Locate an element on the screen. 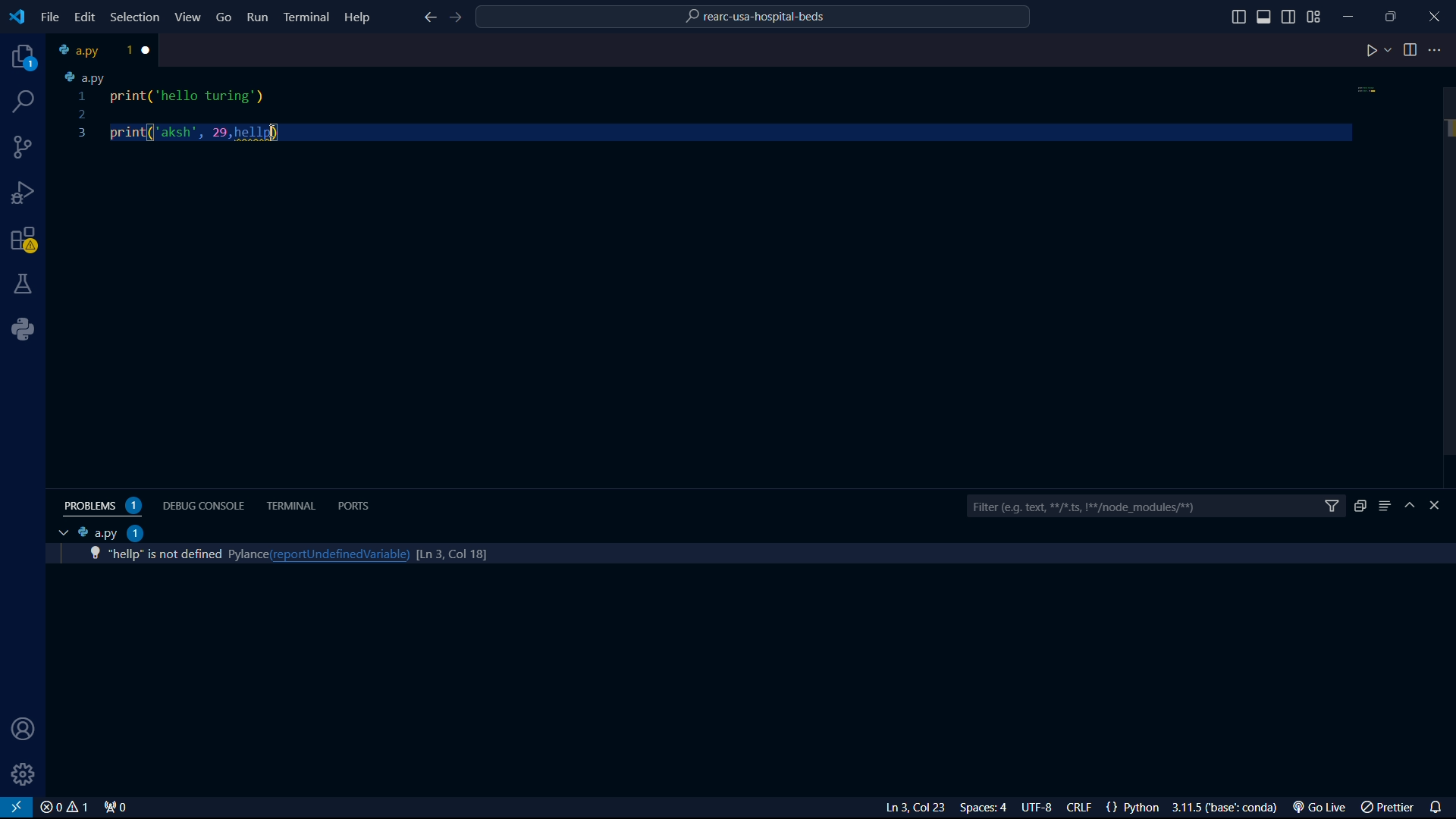 This screenshot has width=1456, height=819. 3.1.5 is located at coordinates (1229, 808).